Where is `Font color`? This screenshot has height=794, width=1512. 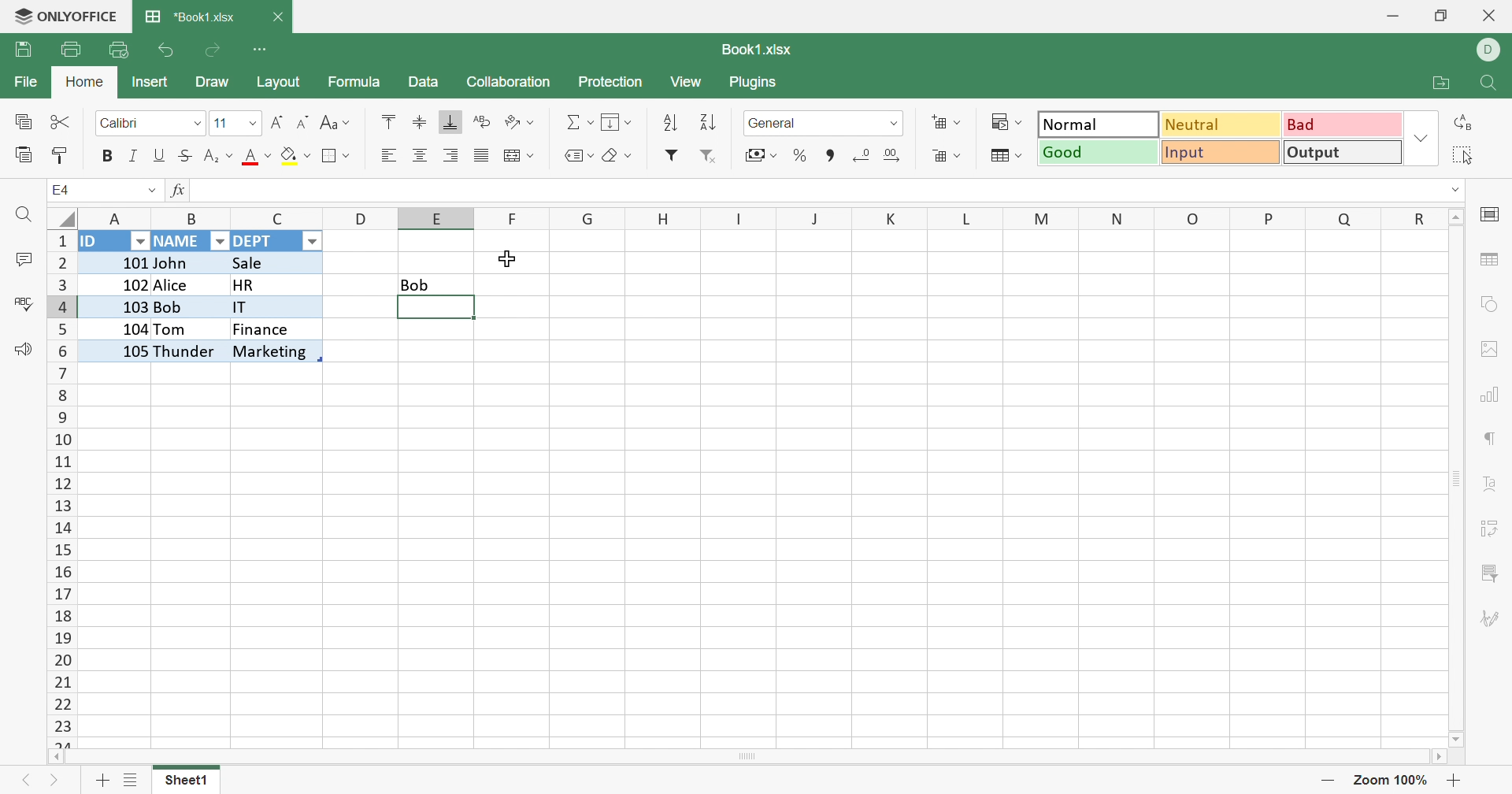
Font color is located at coordinates (258, 157).